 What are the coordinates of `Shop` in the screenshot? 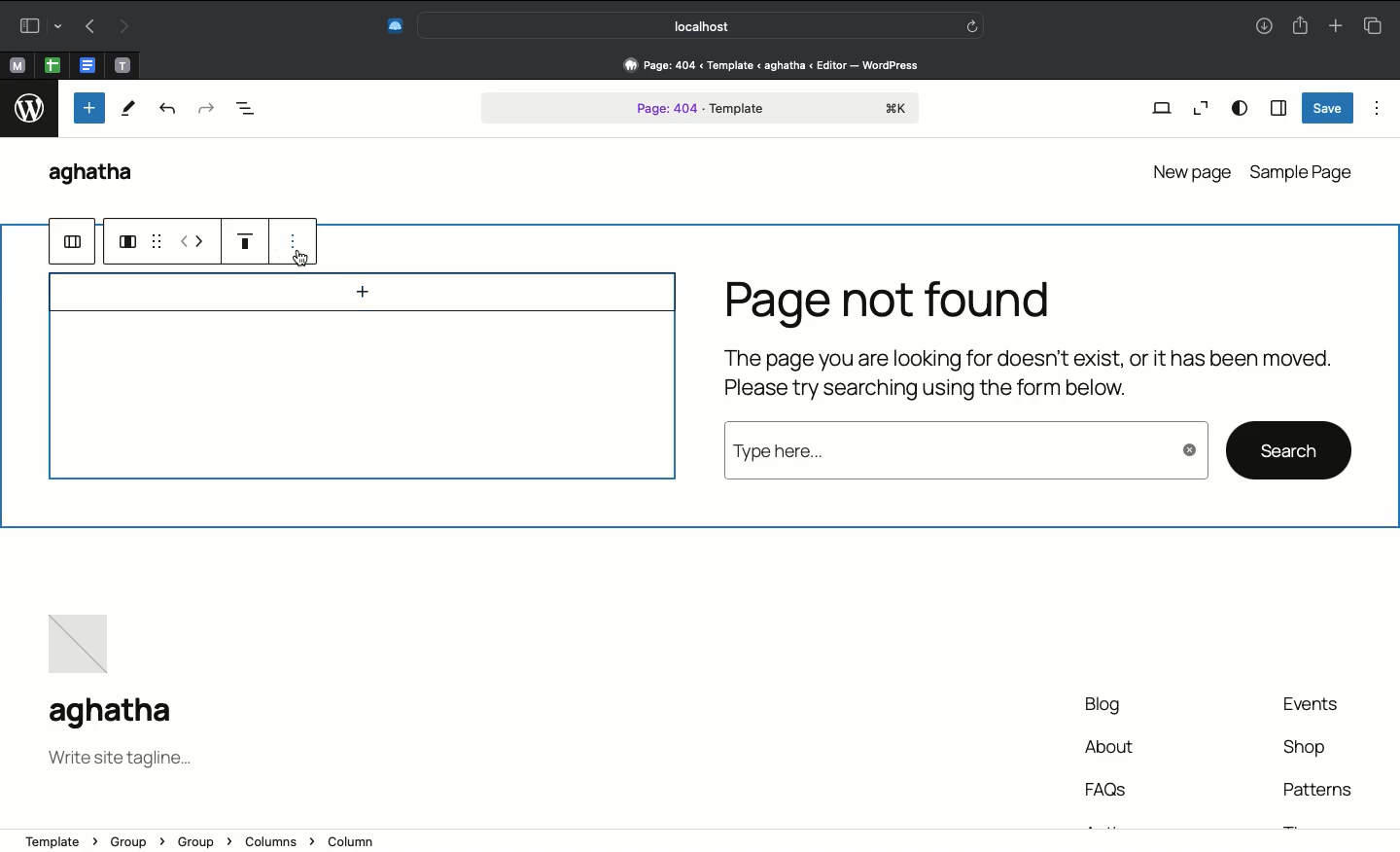 It's located at (1307, 747).